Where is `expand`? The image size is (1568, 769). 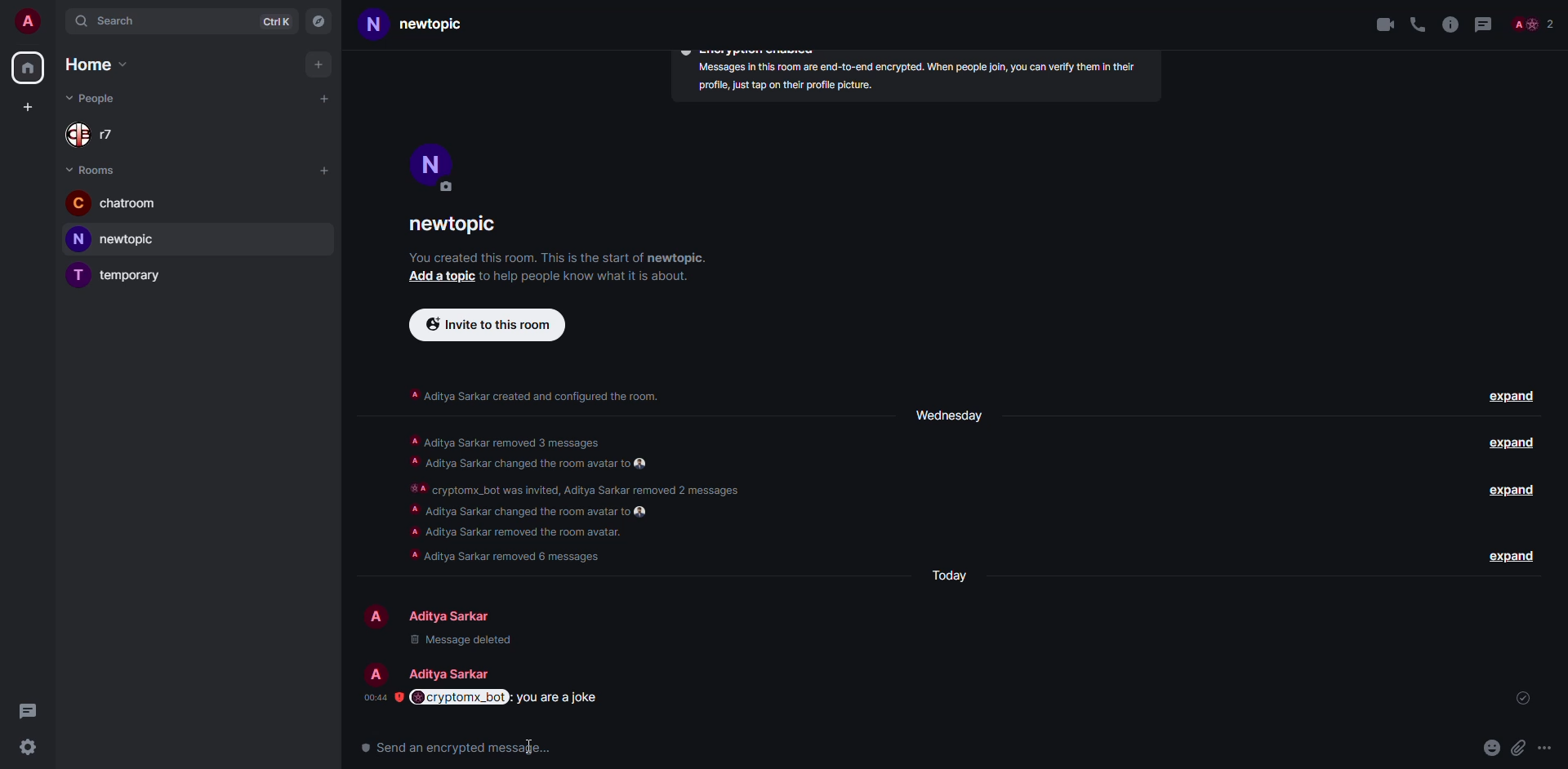 expand is located at coordinates (1512, 398).